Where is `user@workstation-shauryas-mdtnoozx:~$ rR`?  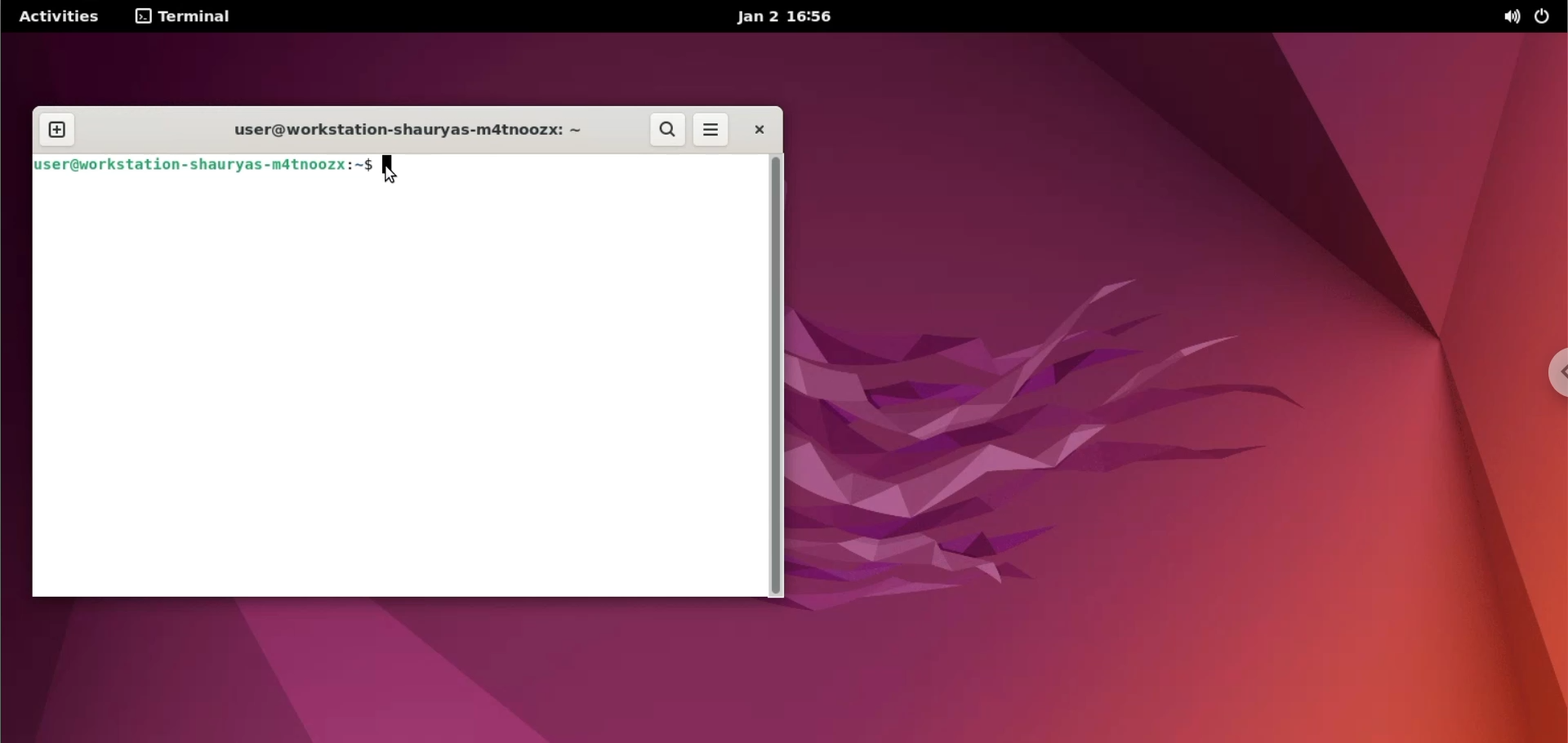 user@workstation-shauryas-mdtnoozx:~$ rR is located at coordinates (207, 165).